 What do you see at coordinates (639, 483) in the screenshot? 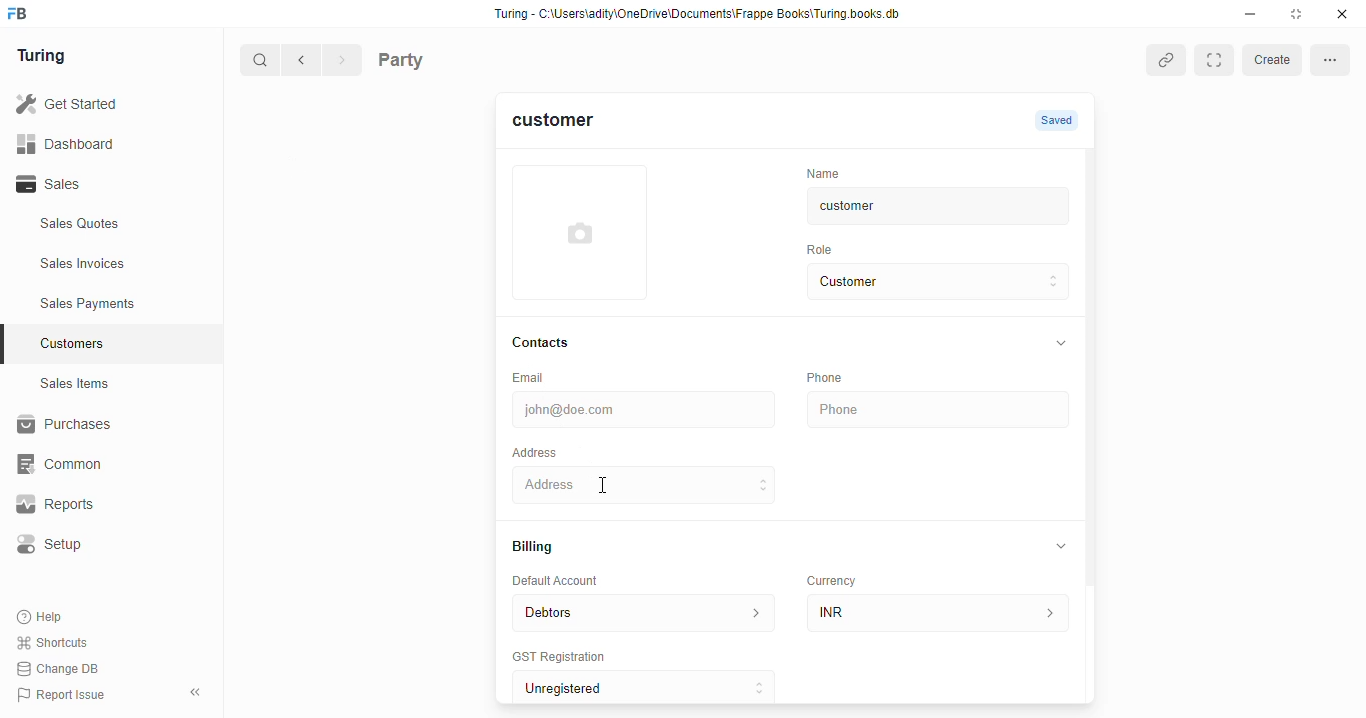
I see `Address` at bounding box center [639, 483].